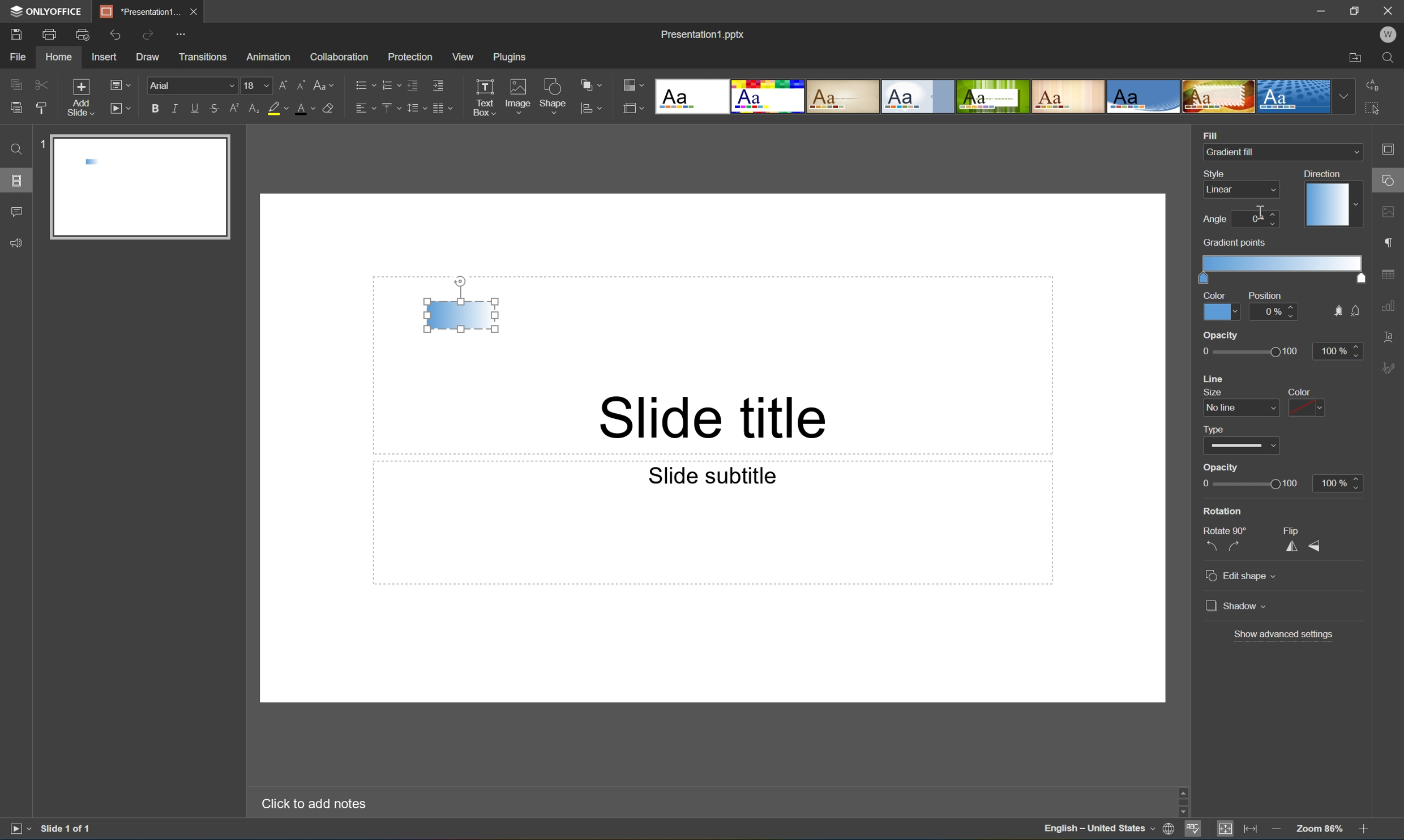  Describe the element at coordinates (78, 98) in the screenshot. I see `Add slide` at that location.